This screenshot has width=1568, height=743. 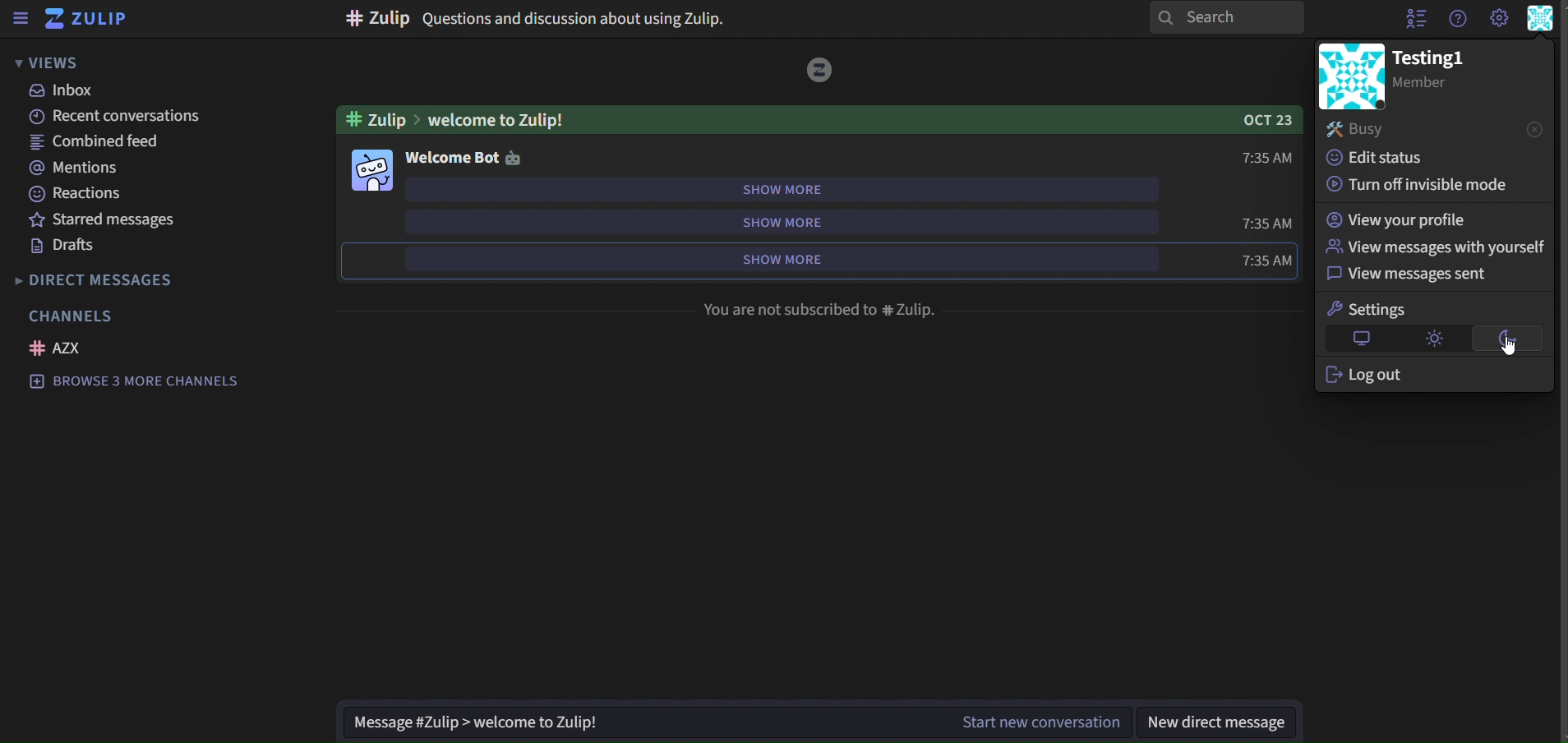 I want to click on Message #Zulip>welcome to Zulip, so click(x=536, y=722).